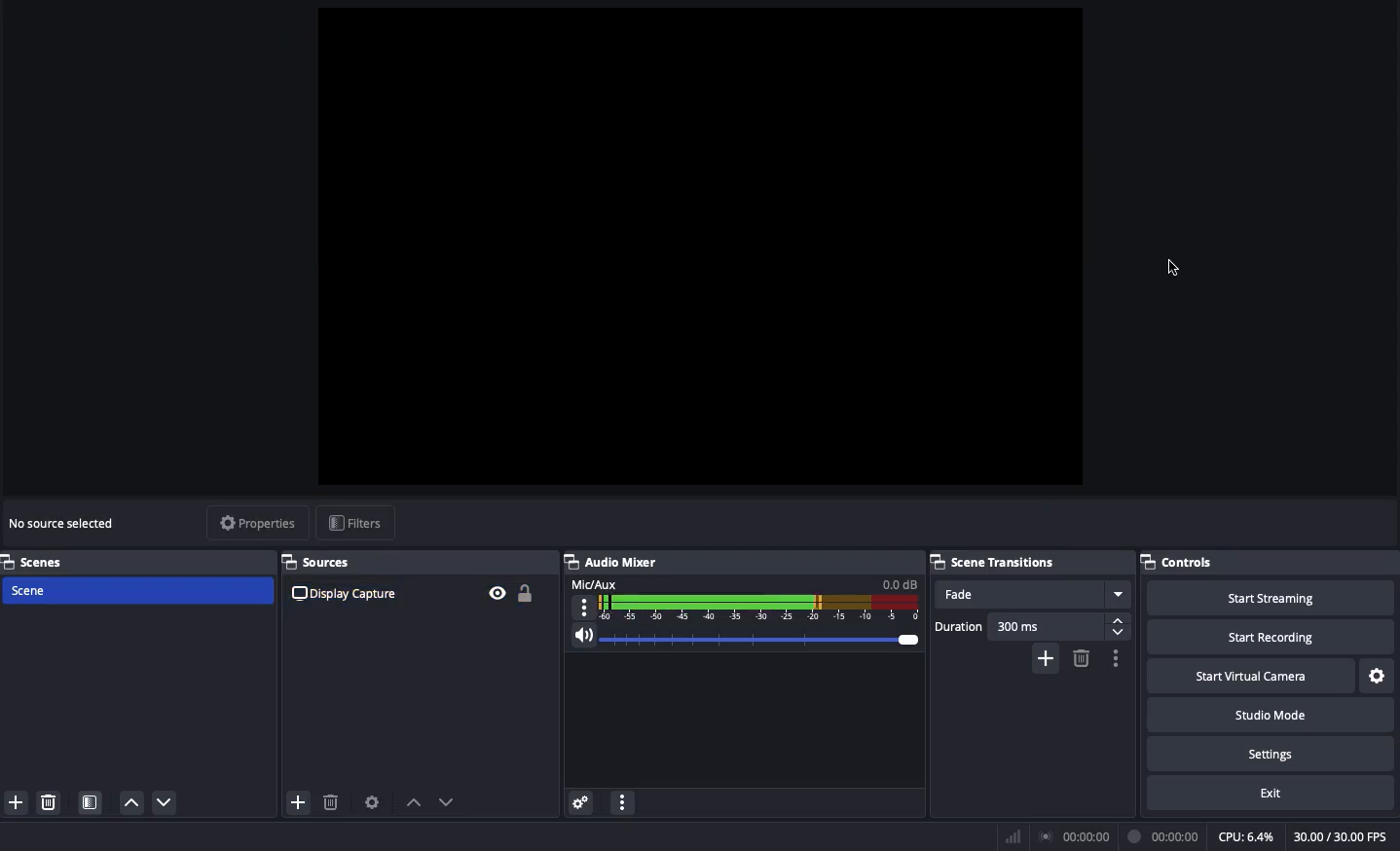  What do you see at coordinates (1048, 657) in the screenshot?
I see `Add` at bounding box center [1048, 657].